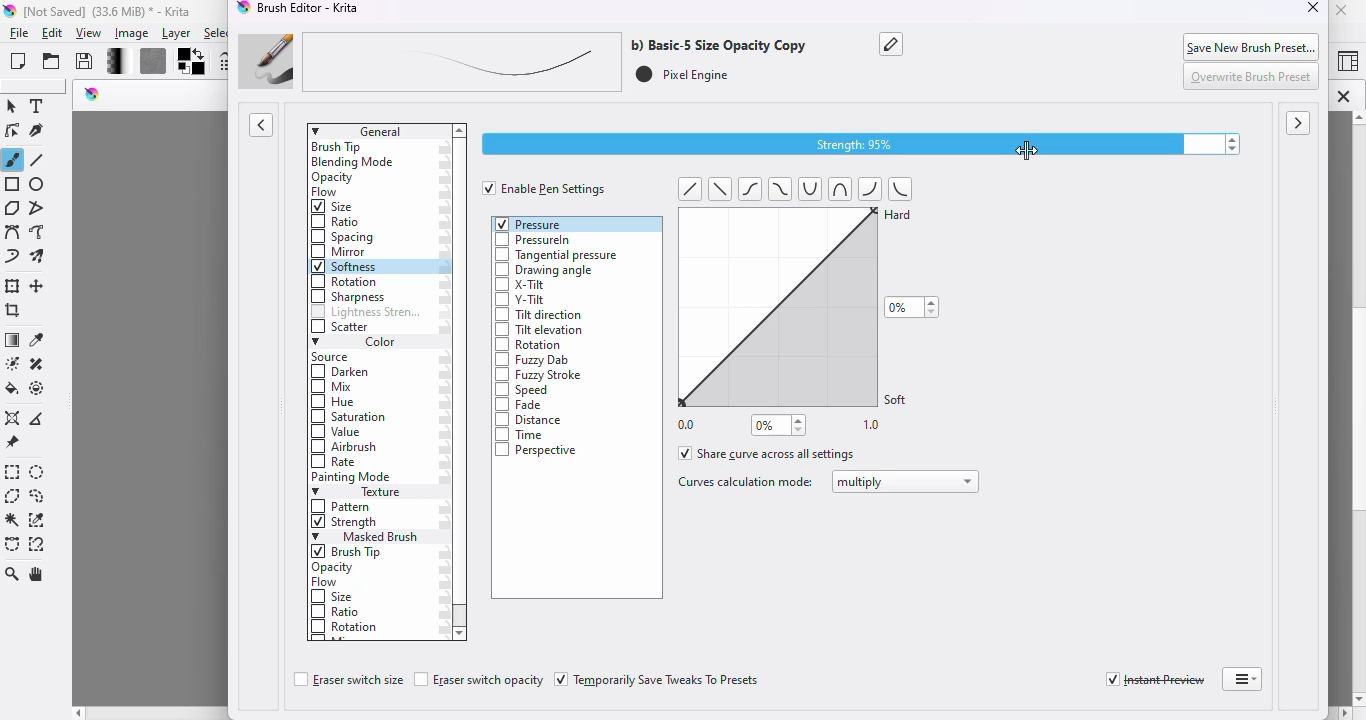 This screenshot has width=1366, height=720. Describe the element at coordinates (523, 390) in the screenshot. I see `speed` at that location.